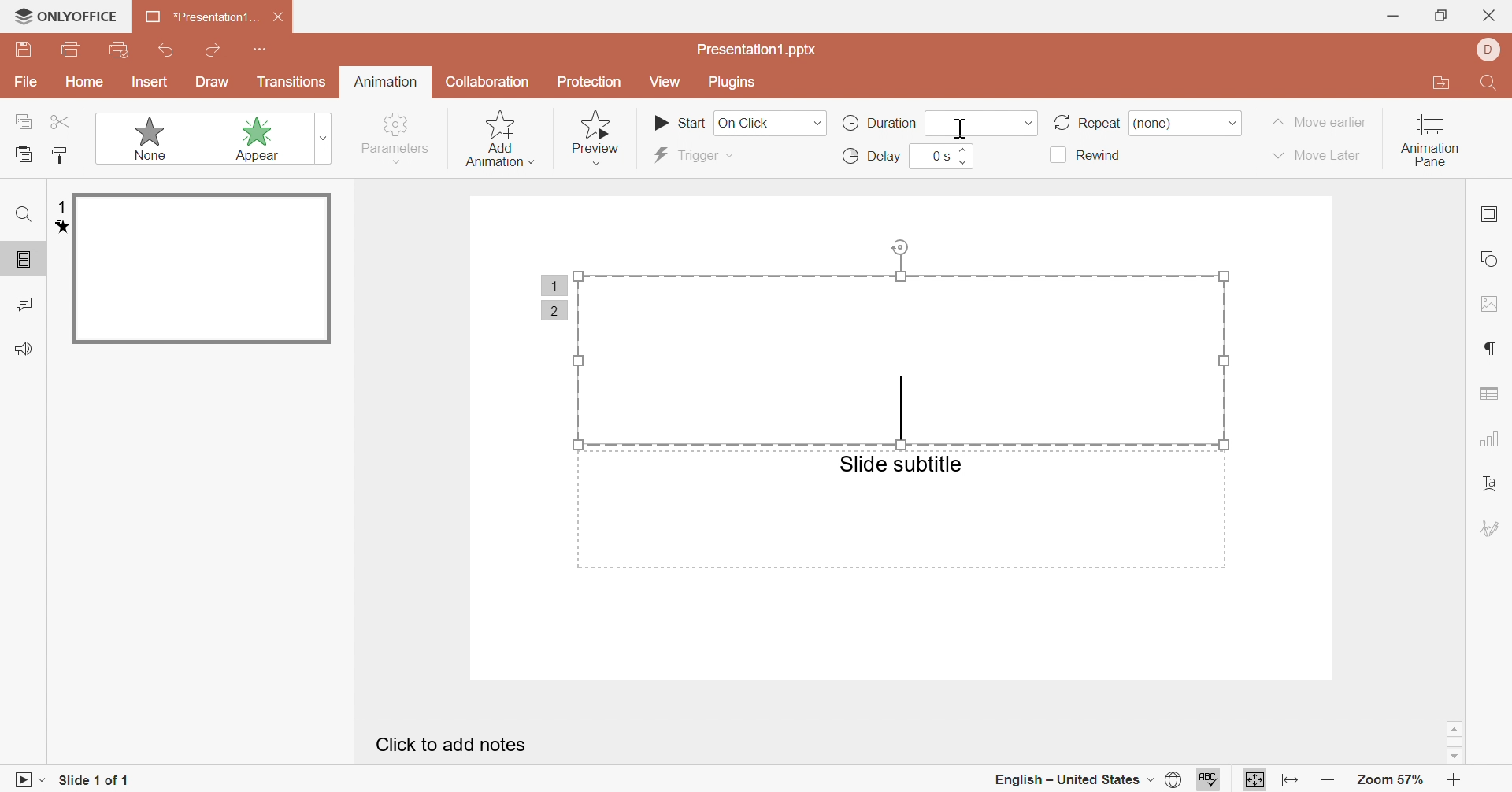 Image resolution: width=1512 pixels, height=792 pixels. I want to click on 0s, so click(939, 155).